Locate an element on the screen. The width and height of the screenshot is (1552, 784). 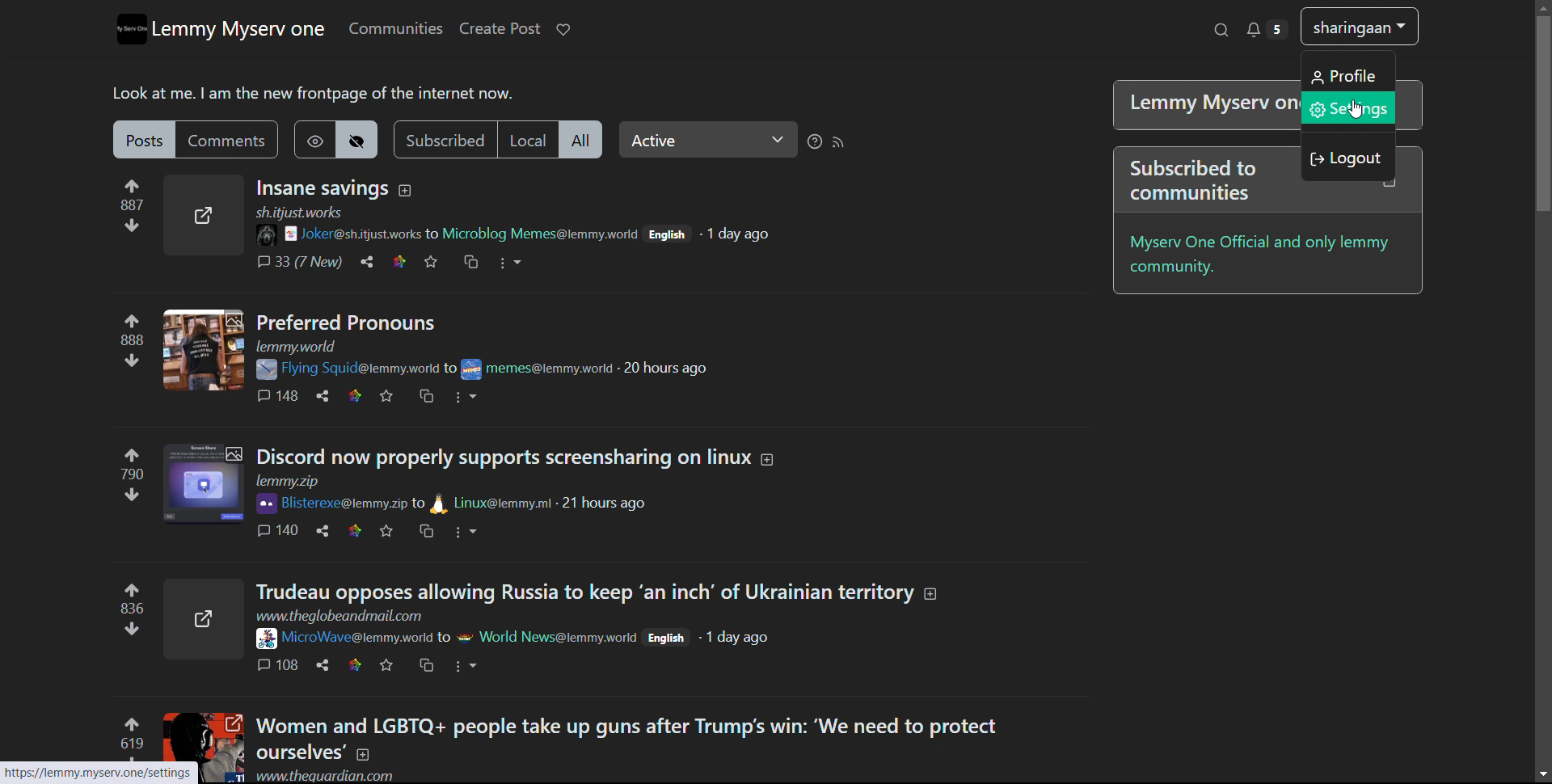
expand is located at coordinates (405, 191).